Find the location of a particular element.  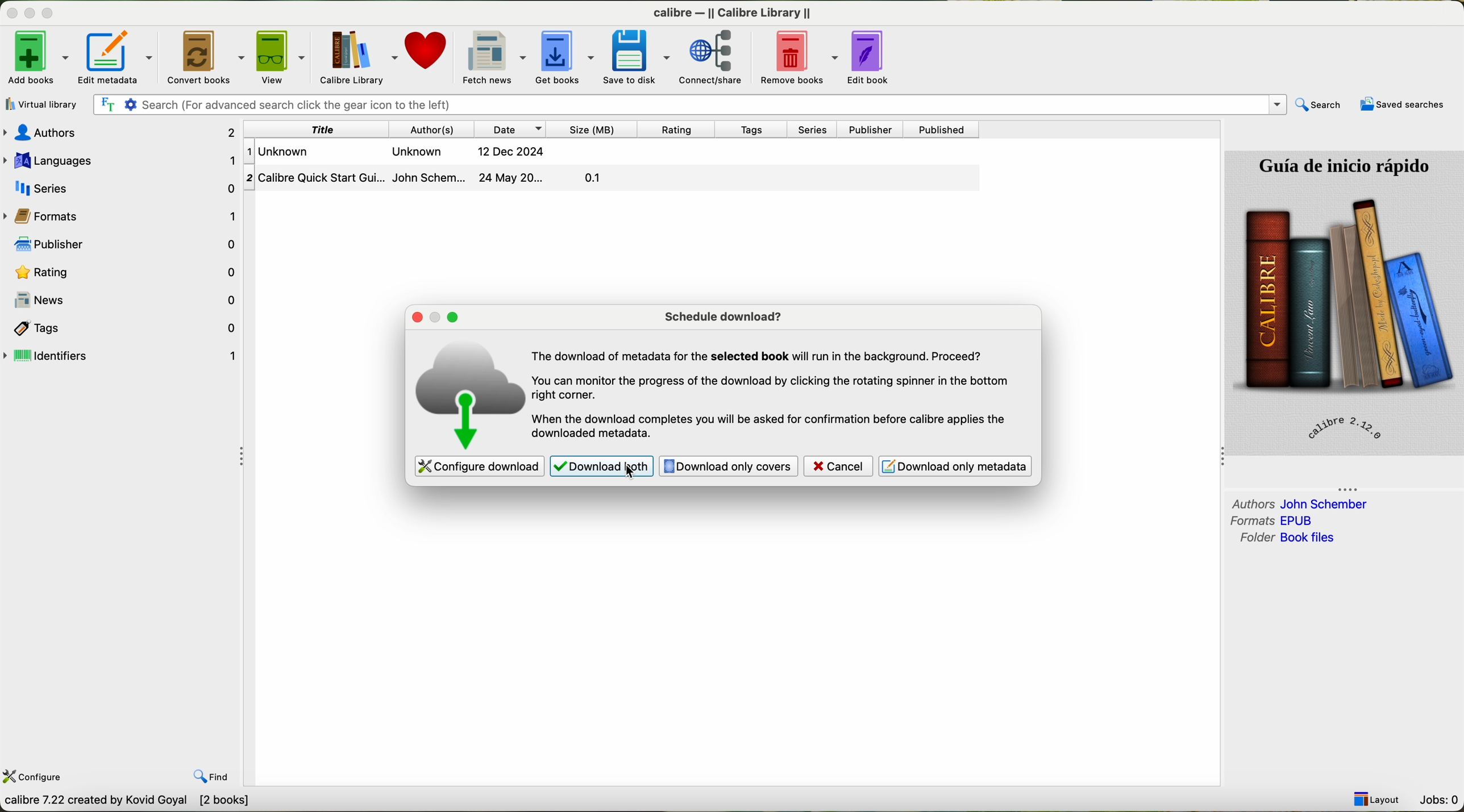

title is located at coordinates (343, 129).